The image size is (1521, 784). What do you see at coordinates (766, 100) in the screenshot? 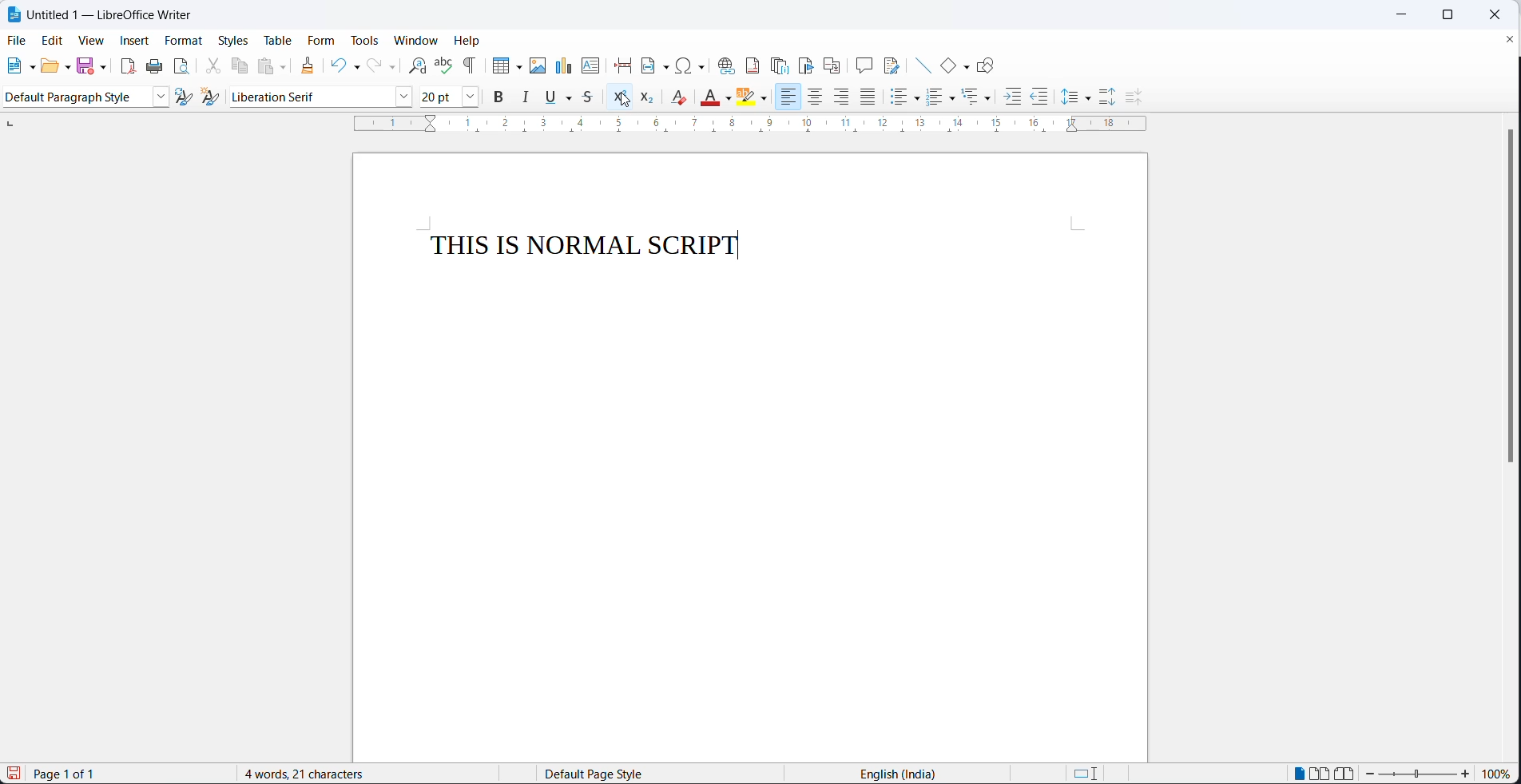
I see `character highlighting` at bounding box center [766, 100].